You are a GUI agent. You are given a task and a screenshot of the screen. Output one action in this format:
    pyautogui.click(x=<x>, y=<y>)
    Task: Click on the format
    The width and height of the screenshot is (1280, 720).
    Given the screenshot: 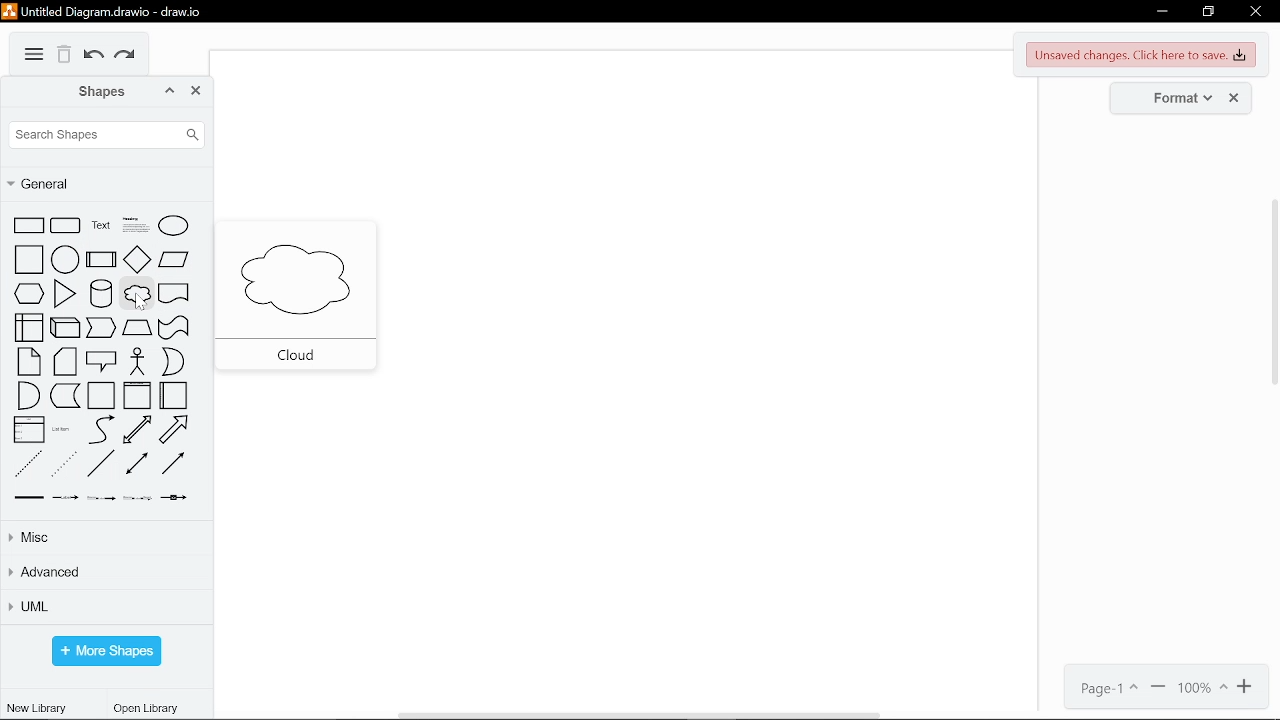 What is the action you would take?
    pyautogui.click(x=1170, y=97)
    